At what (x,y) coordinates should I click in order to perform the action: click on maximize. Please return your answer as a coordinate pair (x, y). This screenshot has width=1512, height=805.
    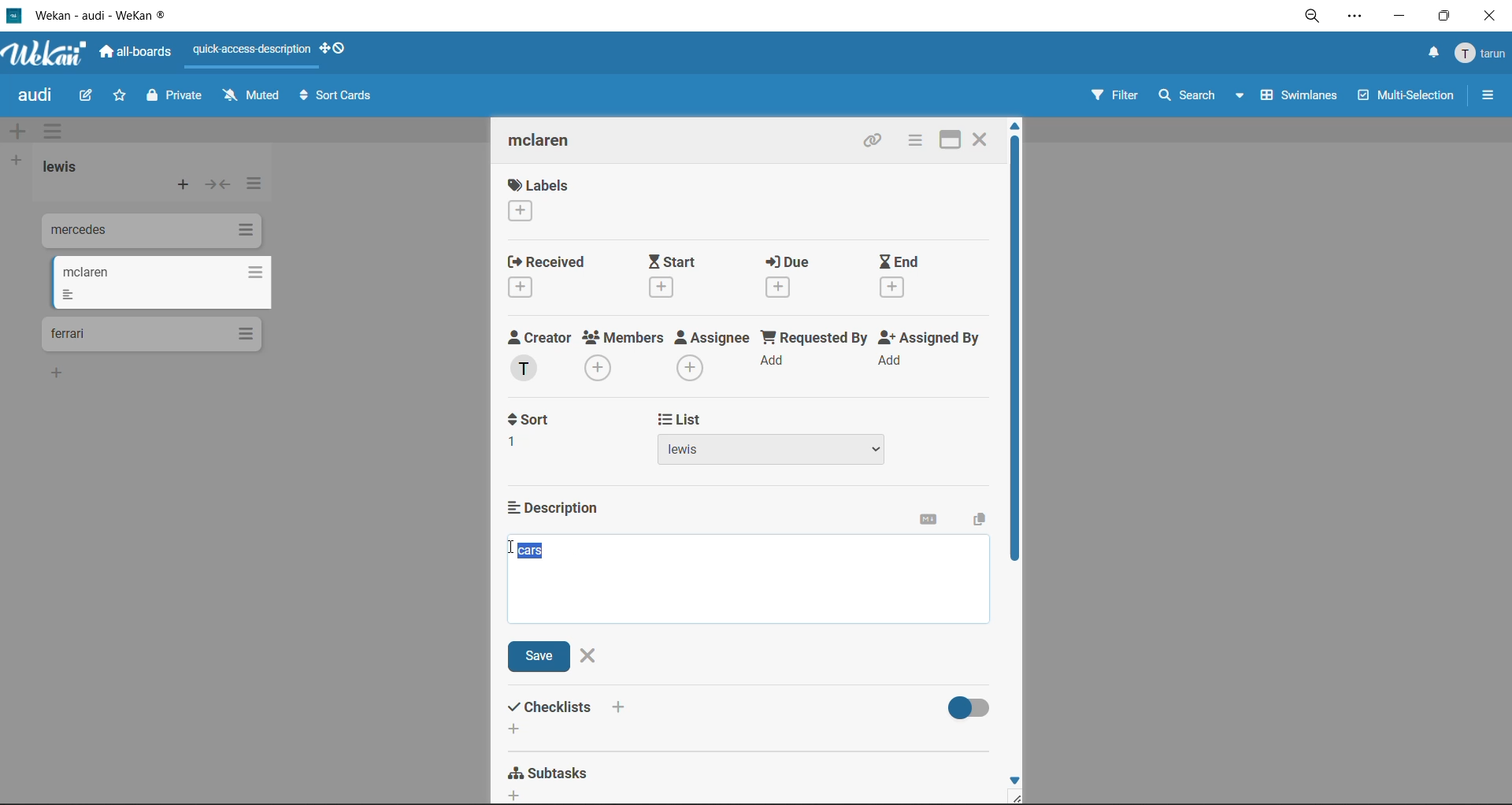
    Looking at the image, I should click on (1448, 15).